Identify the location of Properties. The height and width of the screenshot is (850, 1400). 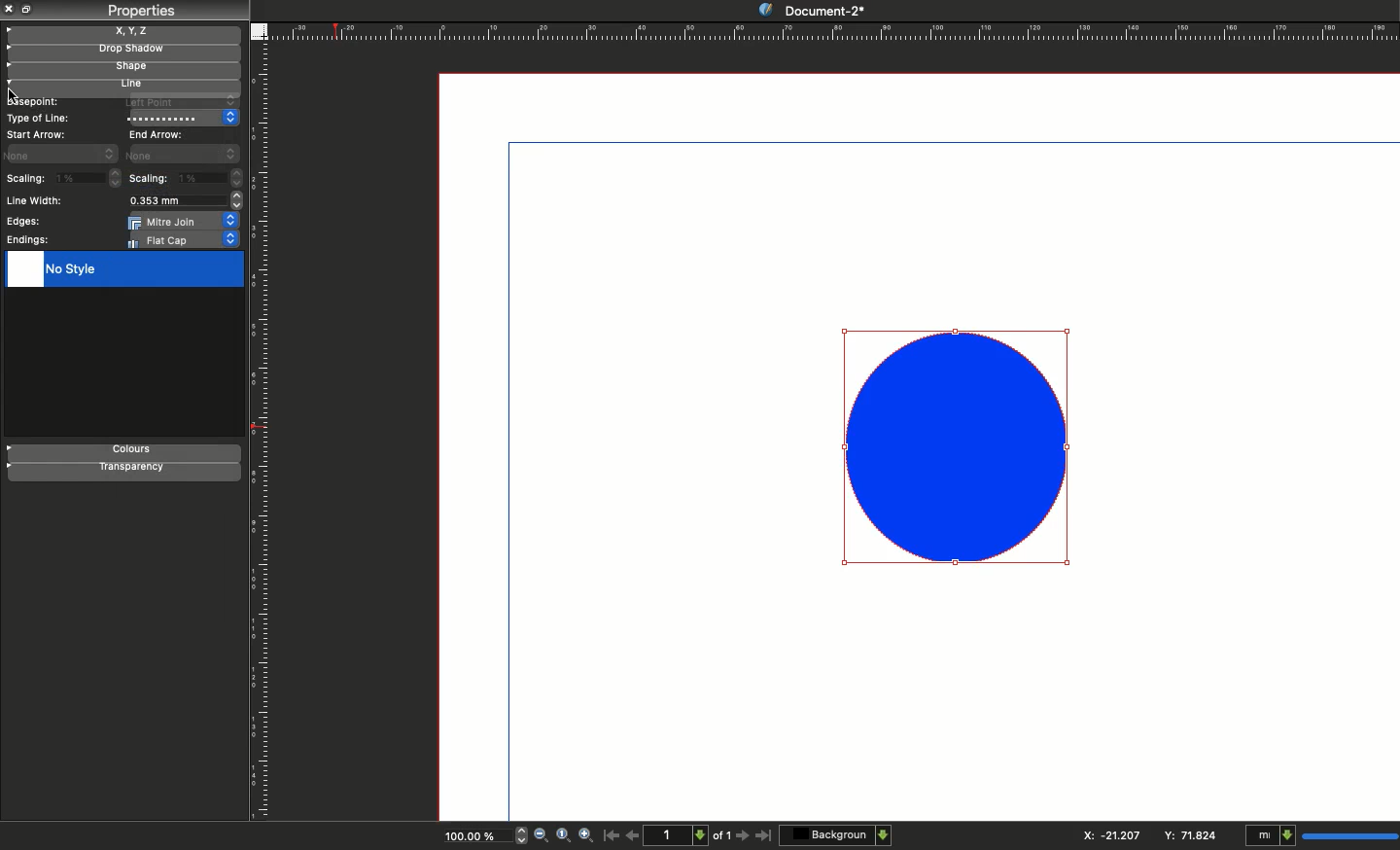
(140, 11).